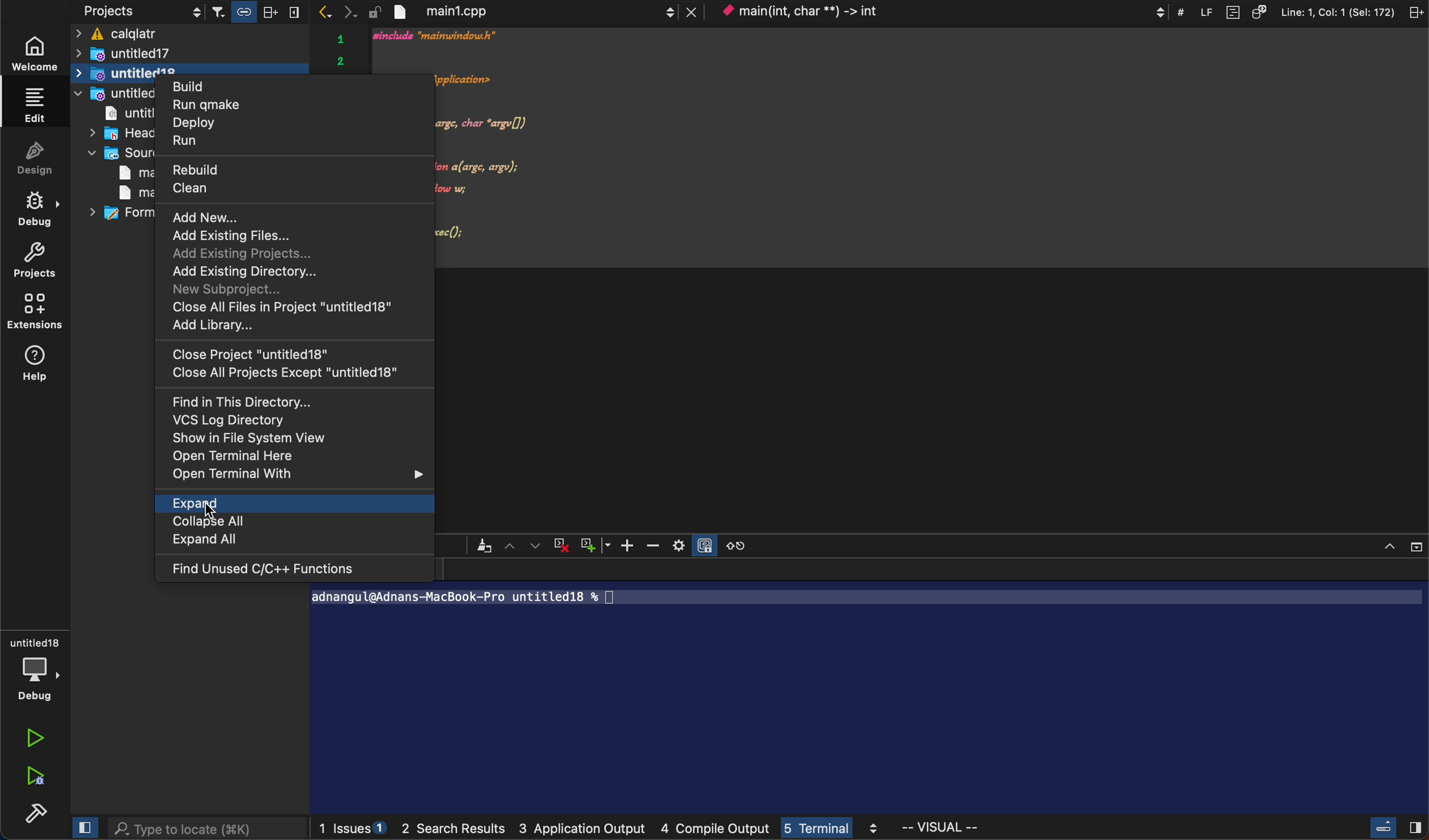 The height and width of the screenshot is (840, 1429). What do you see at coordinates (746, 545) in the screenshot?
I see `reset` at bounding box center [746, 545].